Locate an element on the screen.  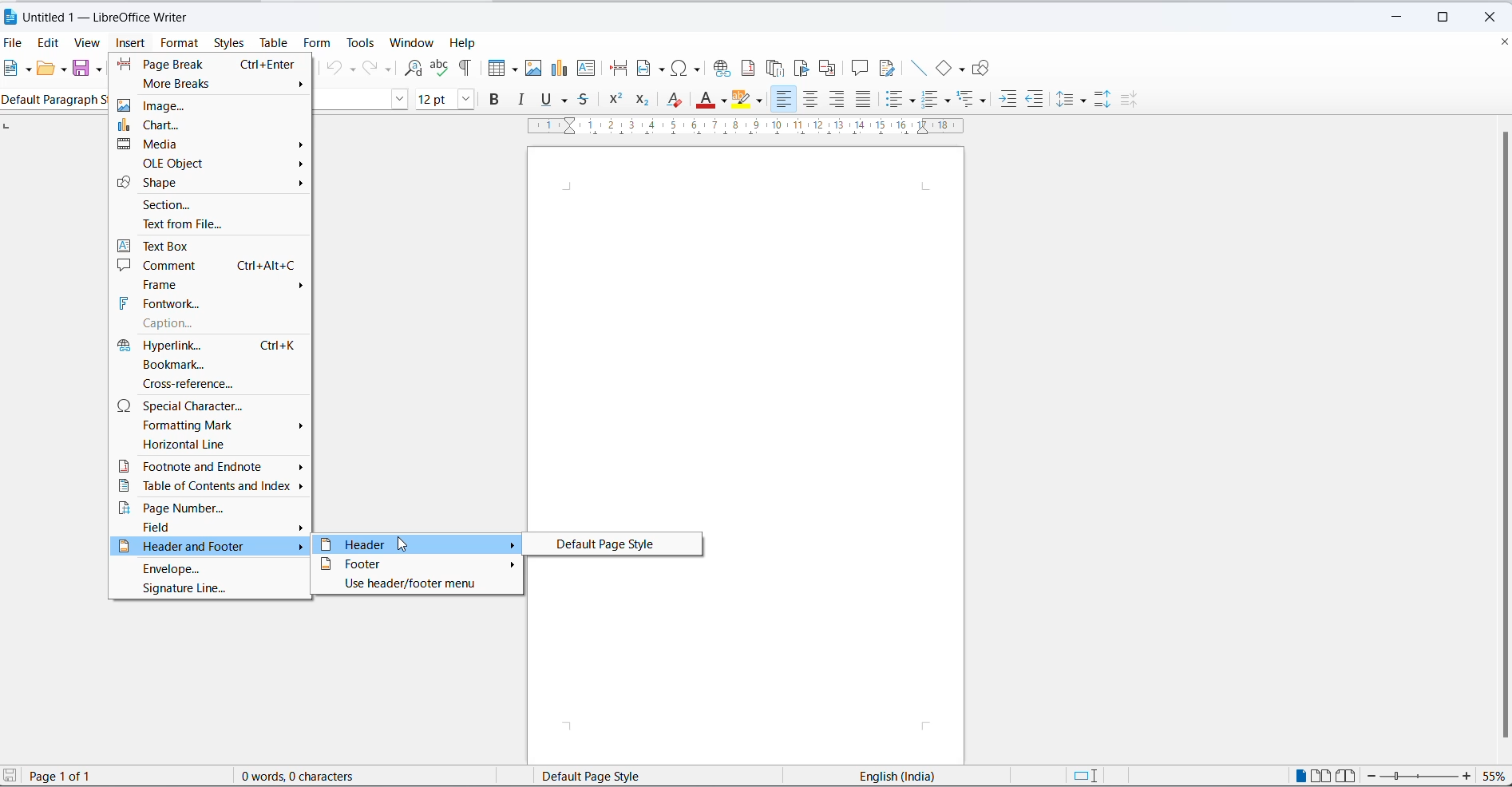
chart is located at coordinates (212, 125).